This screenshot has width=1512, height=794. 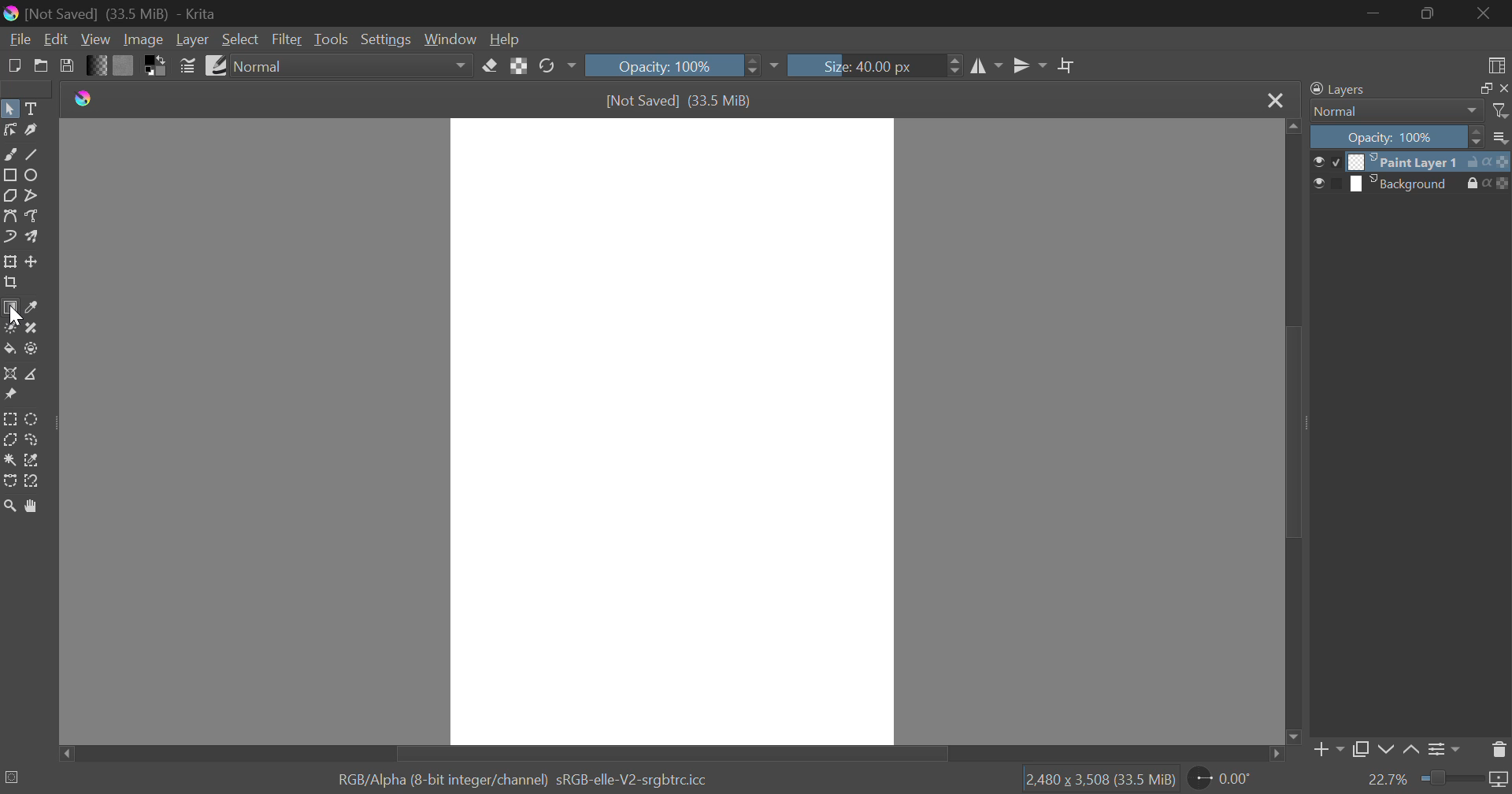 I want to click on Minimize, so click(x=1430, y=15).